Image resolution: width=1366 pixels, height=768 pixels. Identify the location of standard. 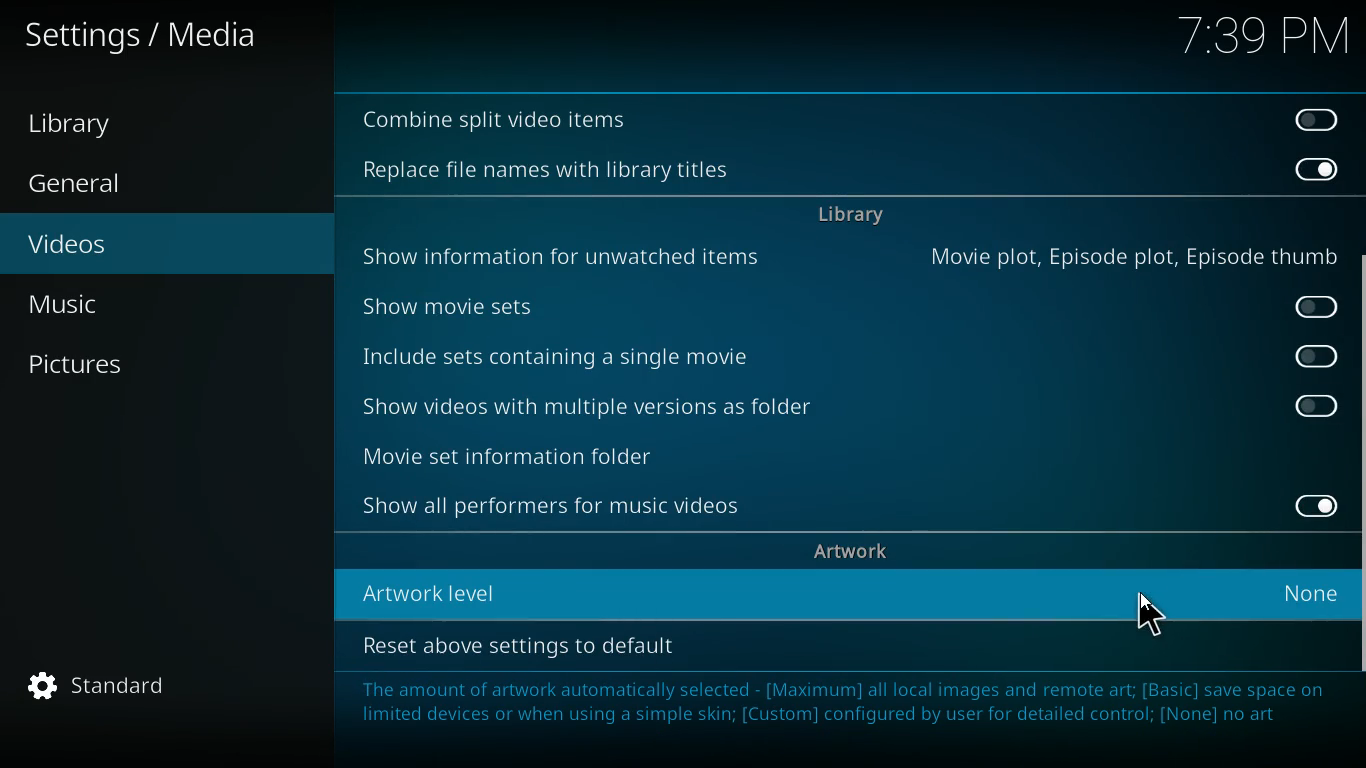
(109, 686).